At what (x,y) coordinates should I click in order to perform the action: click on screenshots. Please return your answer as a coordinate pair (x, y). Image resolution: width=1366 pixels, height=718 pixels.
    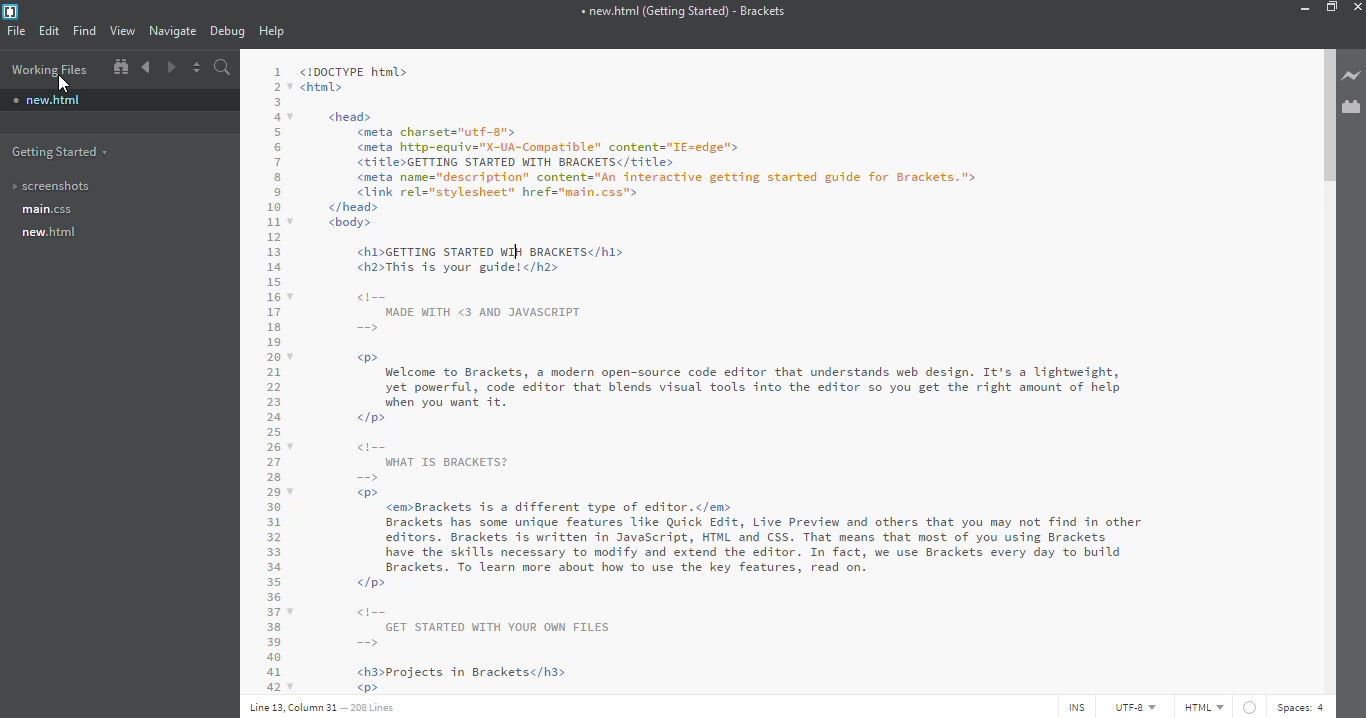
    Looking at the image, I should click on (53, 185).